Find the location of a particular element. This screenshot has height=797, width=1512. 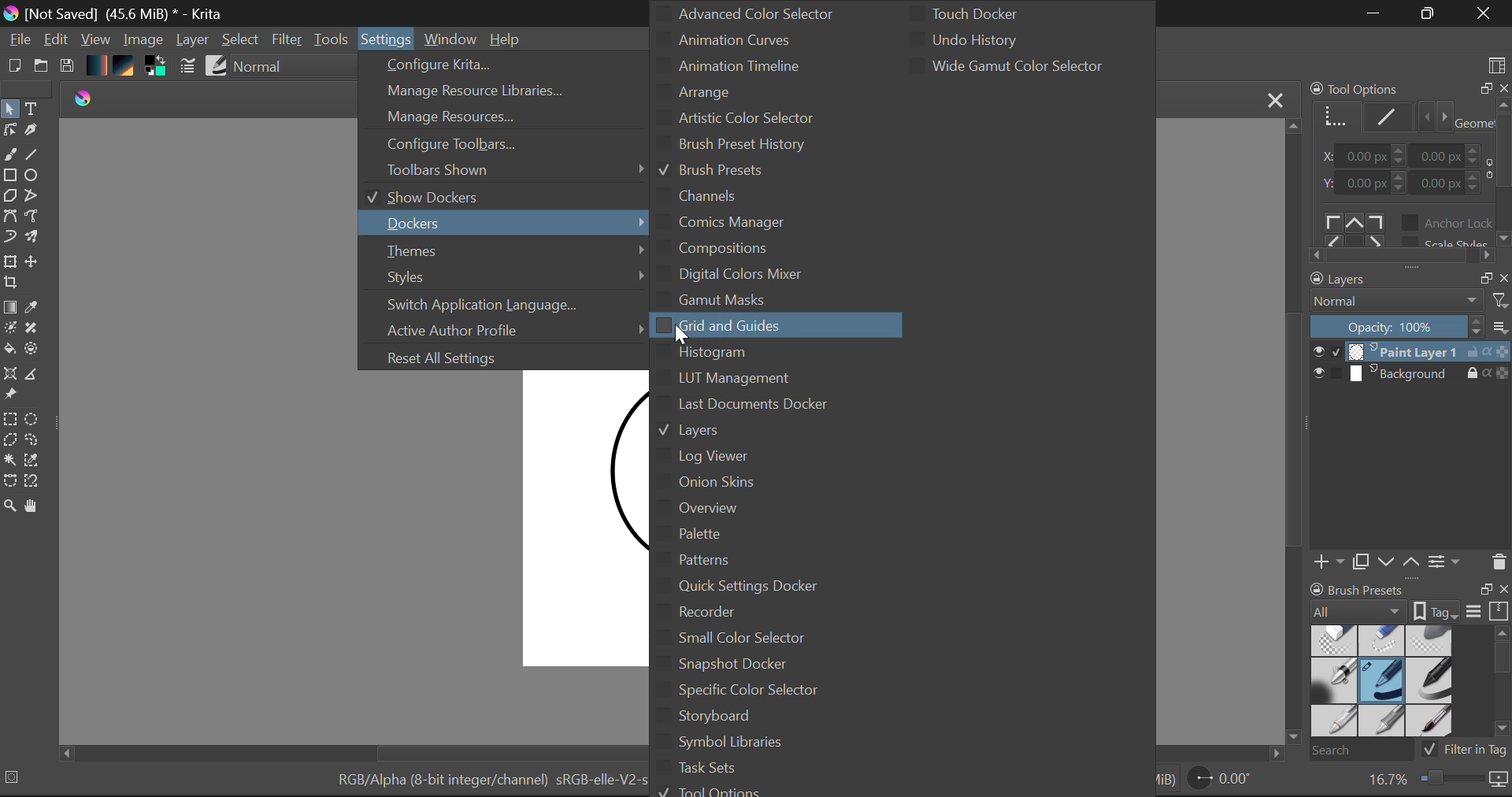

Manage Resource Libraries is located at coordinates (504, 91).